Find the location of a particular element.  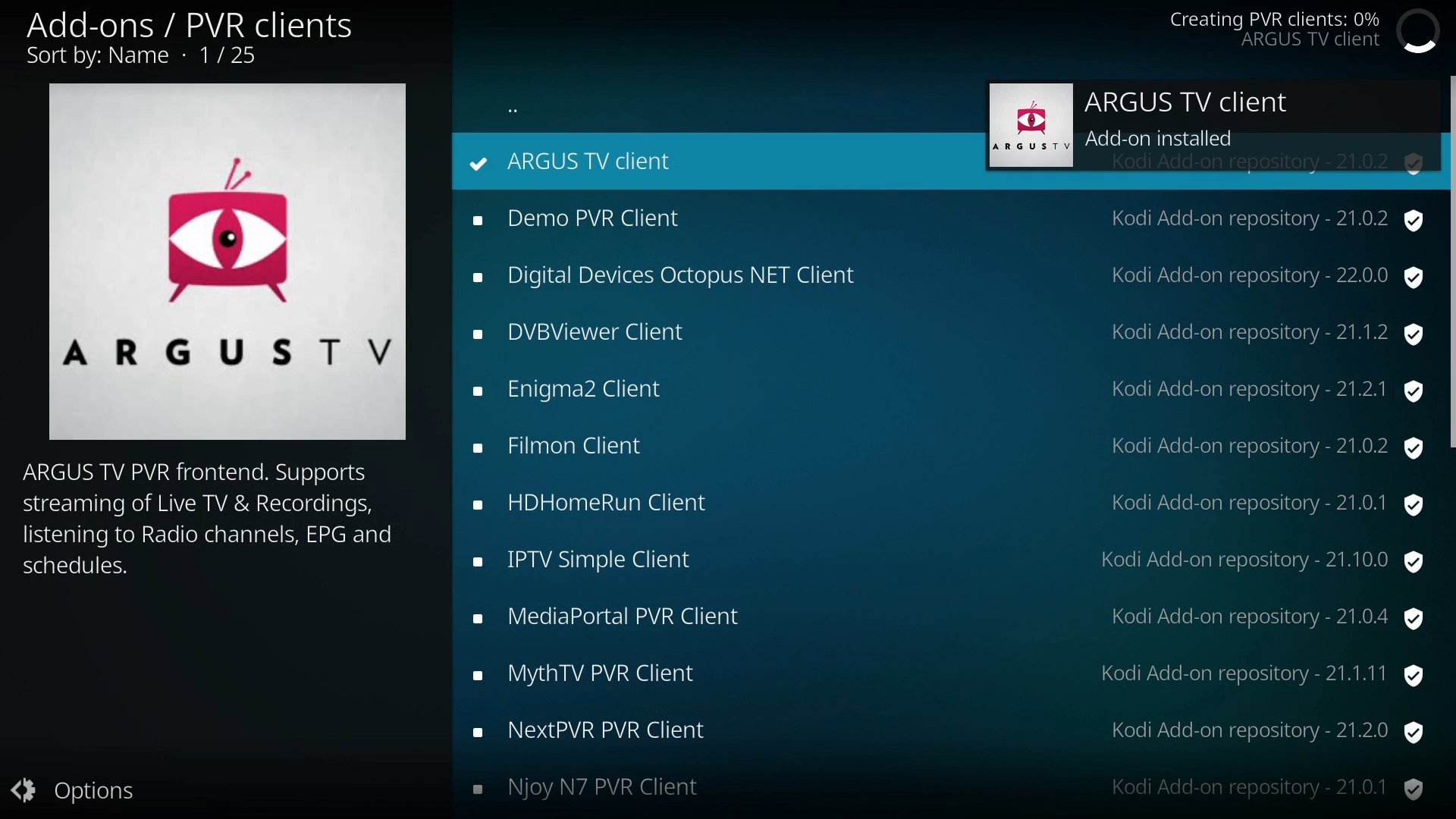

more is located at coordinates (522, 111).